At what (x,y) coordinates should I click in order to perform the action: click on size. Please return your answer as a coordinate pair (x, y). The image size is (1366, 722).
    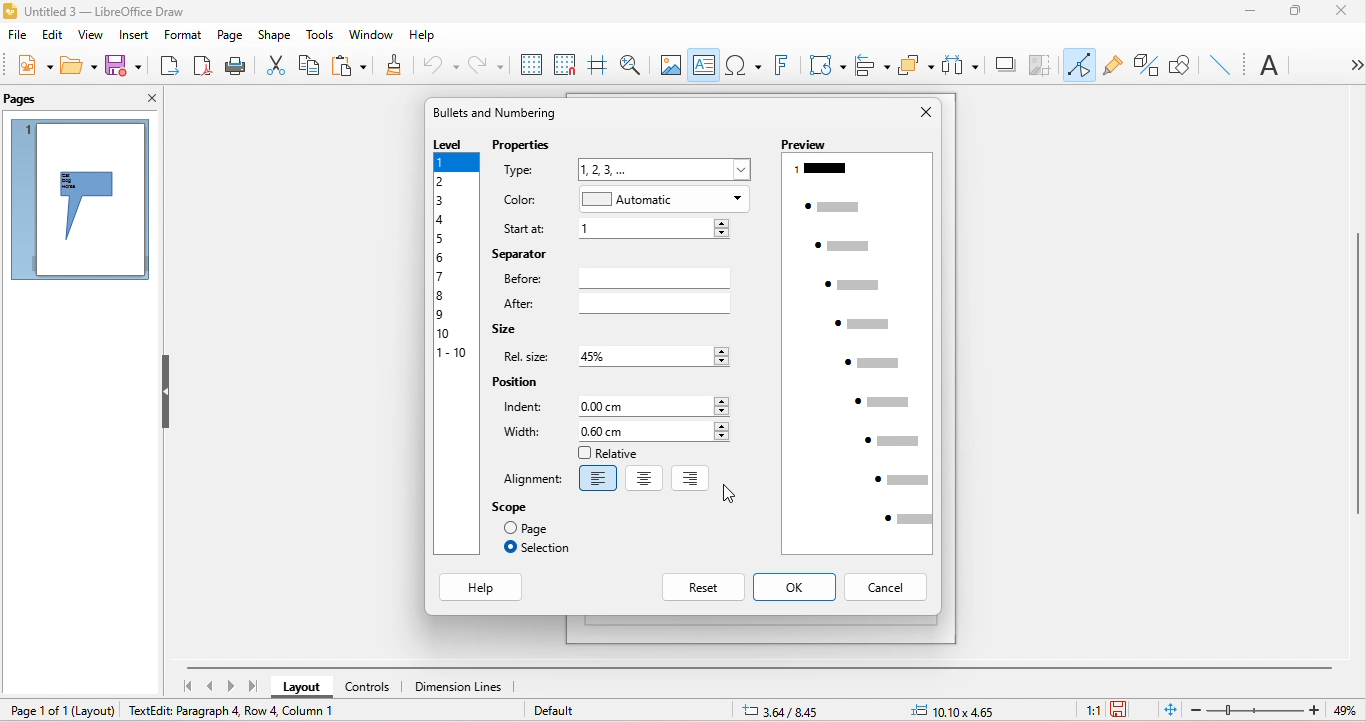
    Looking at the image, I should click on (506, 329).